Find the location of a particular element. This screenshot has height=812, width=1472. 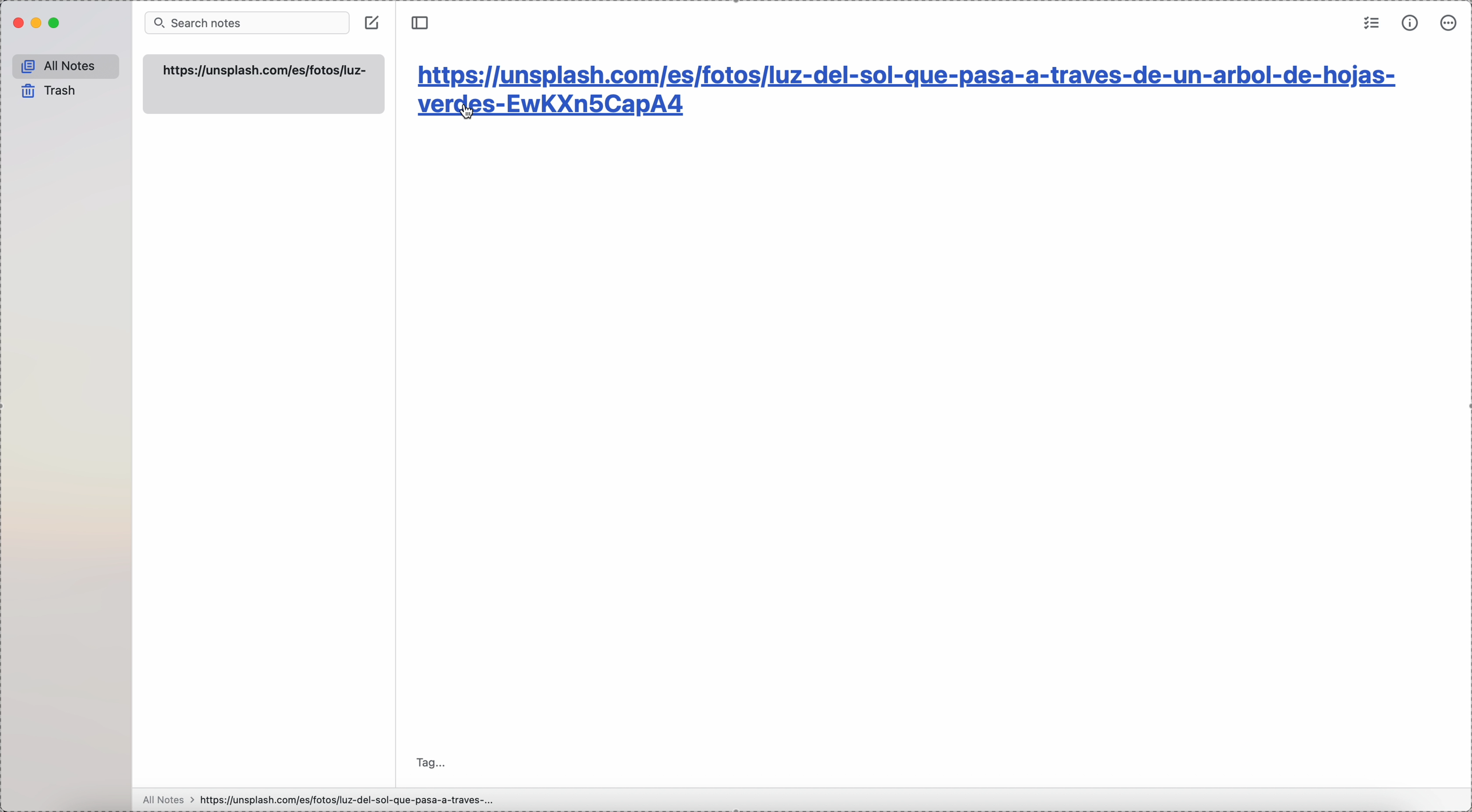

toggle sidebar is located at coordinates (419, 23).